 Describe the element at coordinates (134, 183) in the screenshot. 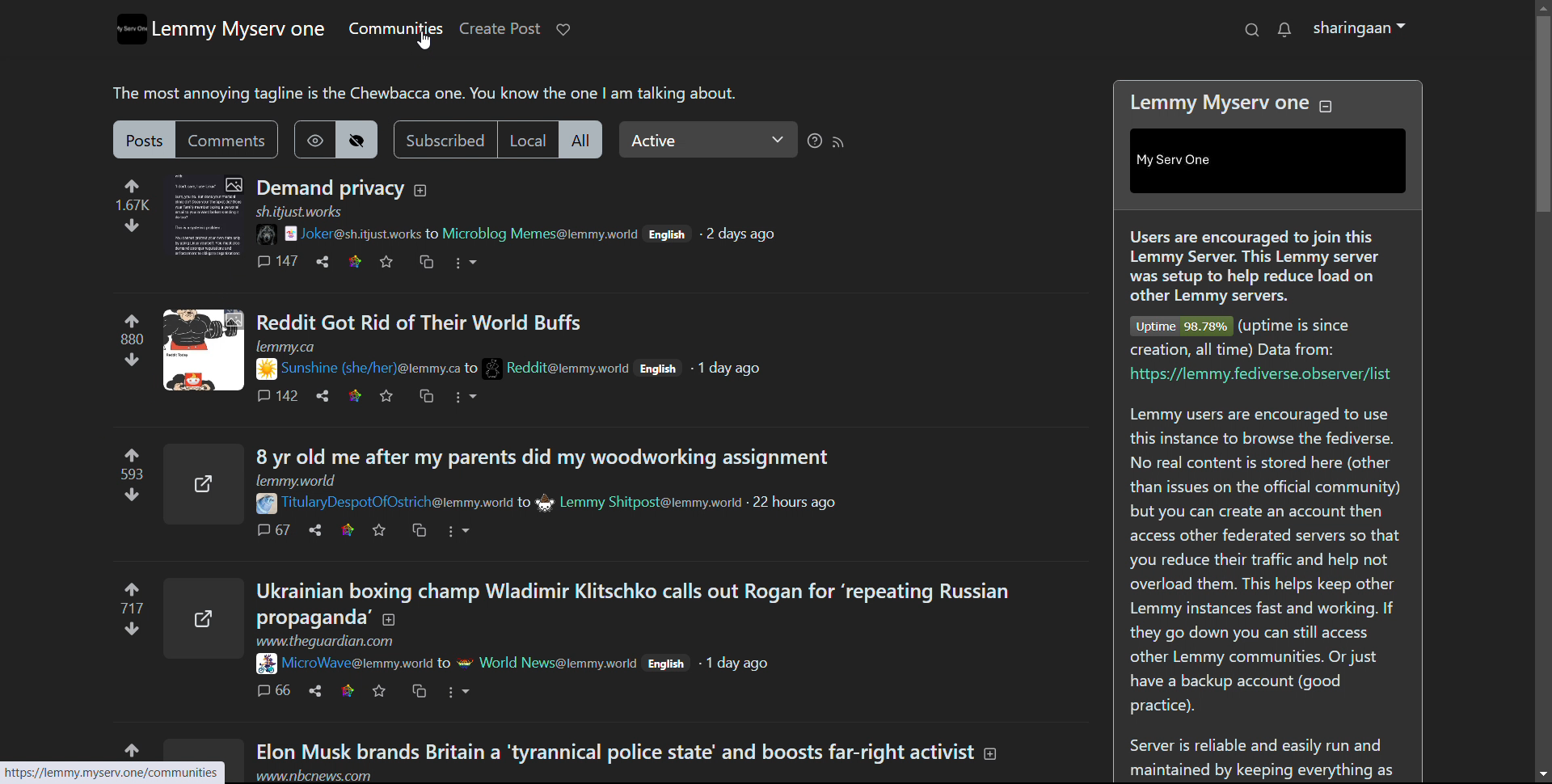

I see `upvote` at that location.